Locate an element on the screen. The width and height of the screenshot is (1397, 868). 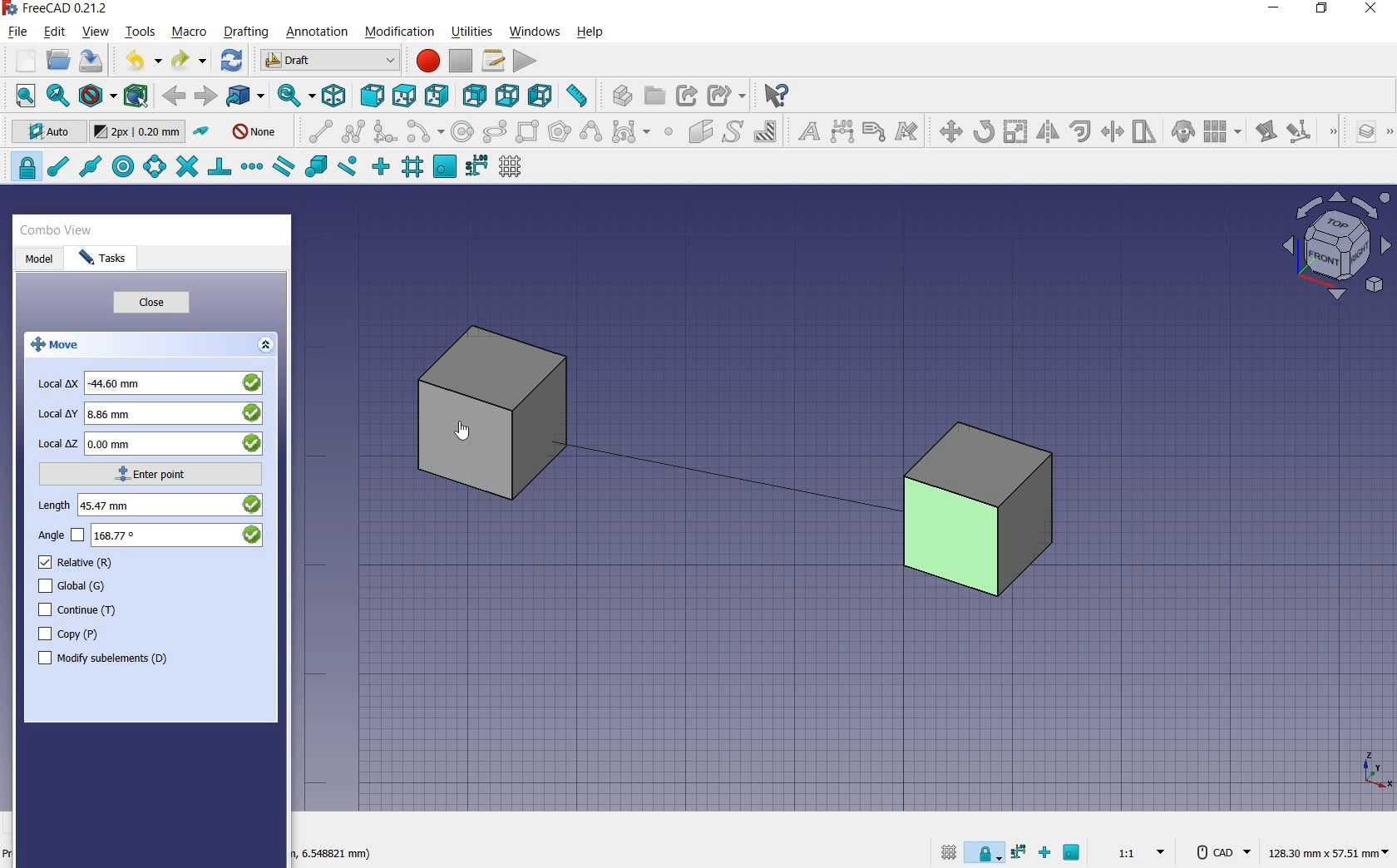
macros is located at coordinates (493, 61).